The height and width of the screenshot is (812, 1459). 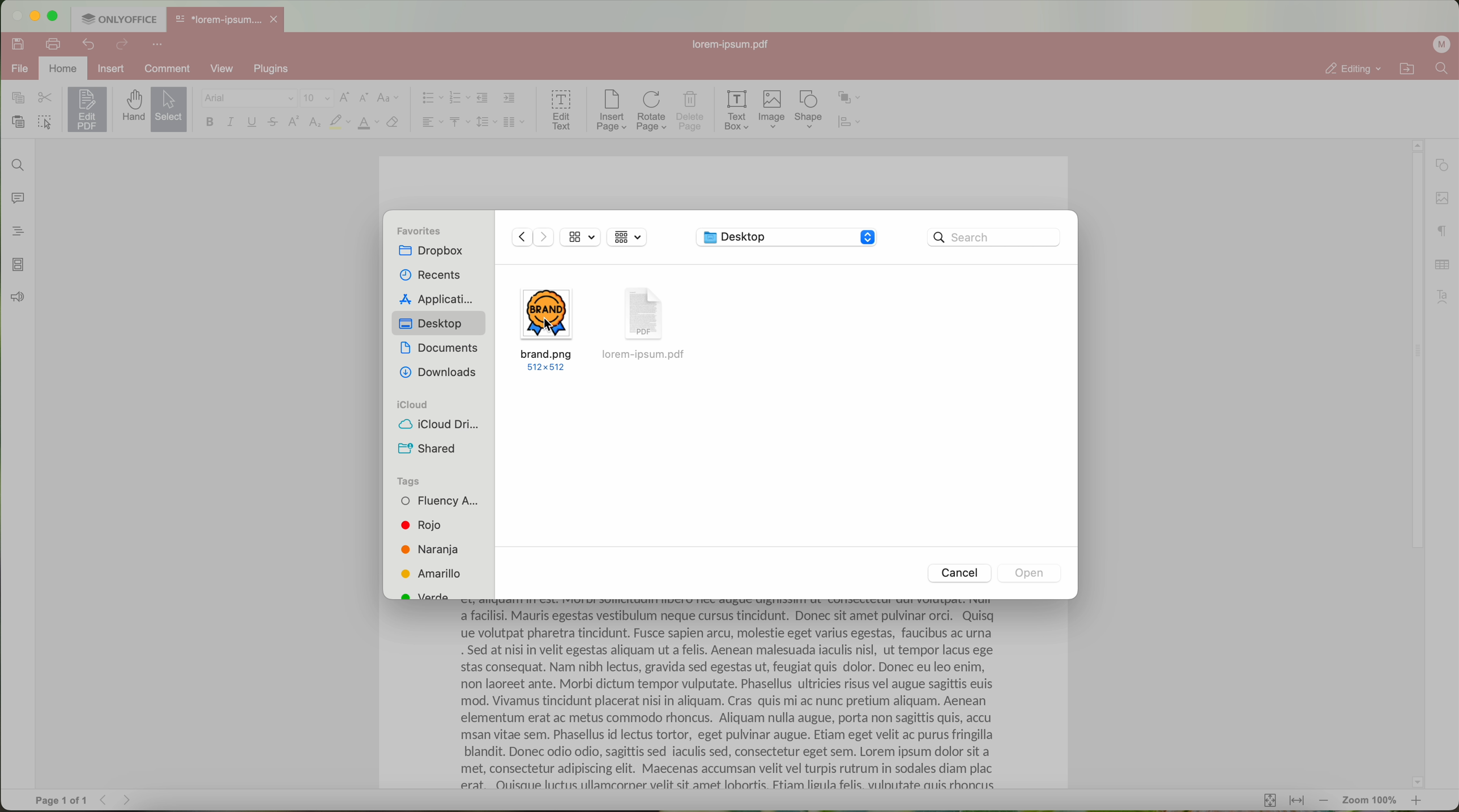 I want to click on decrement font size, so click(x=364, y=99).